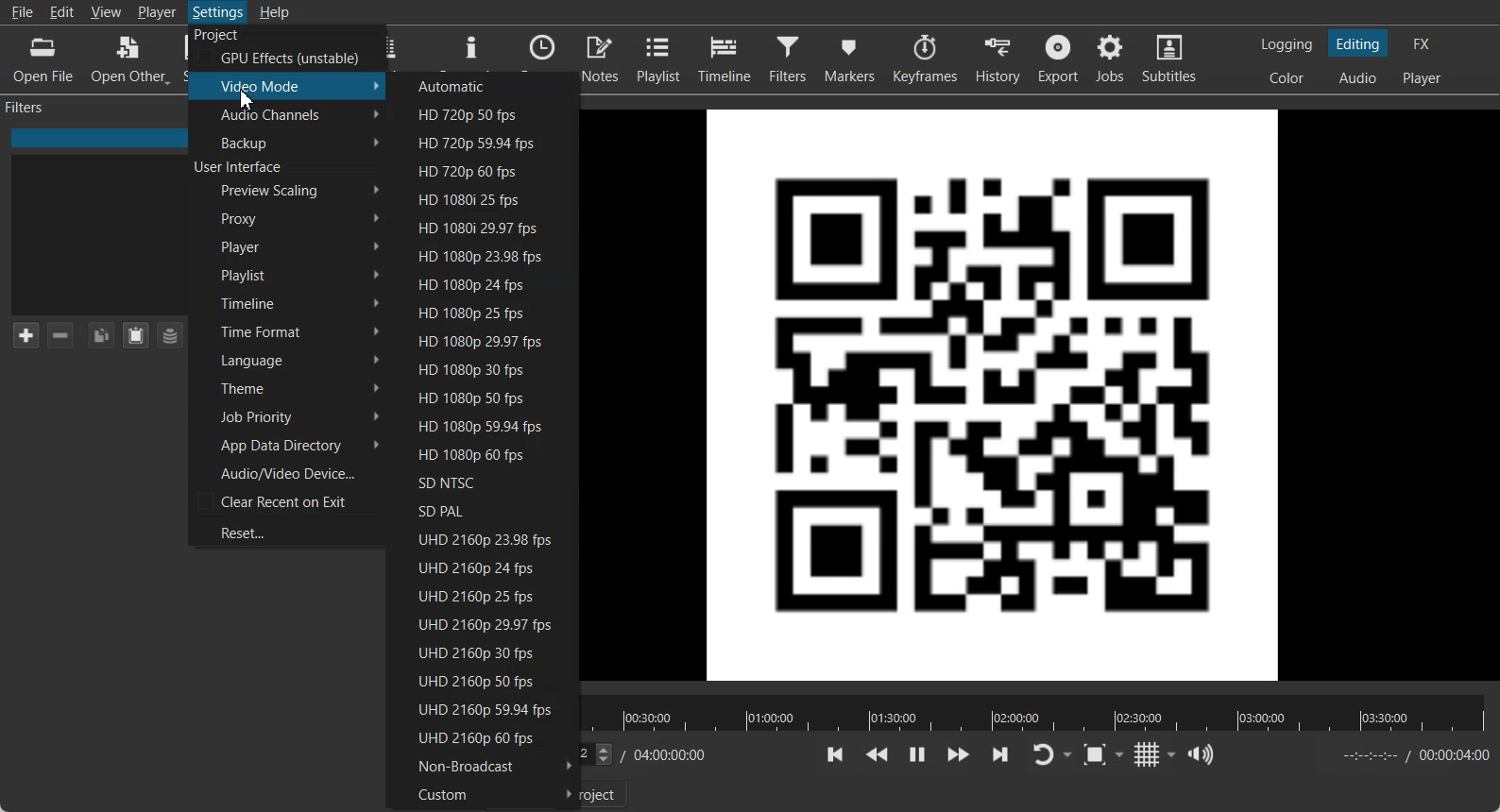  I want to click on Job Priority, so click(286, 417).